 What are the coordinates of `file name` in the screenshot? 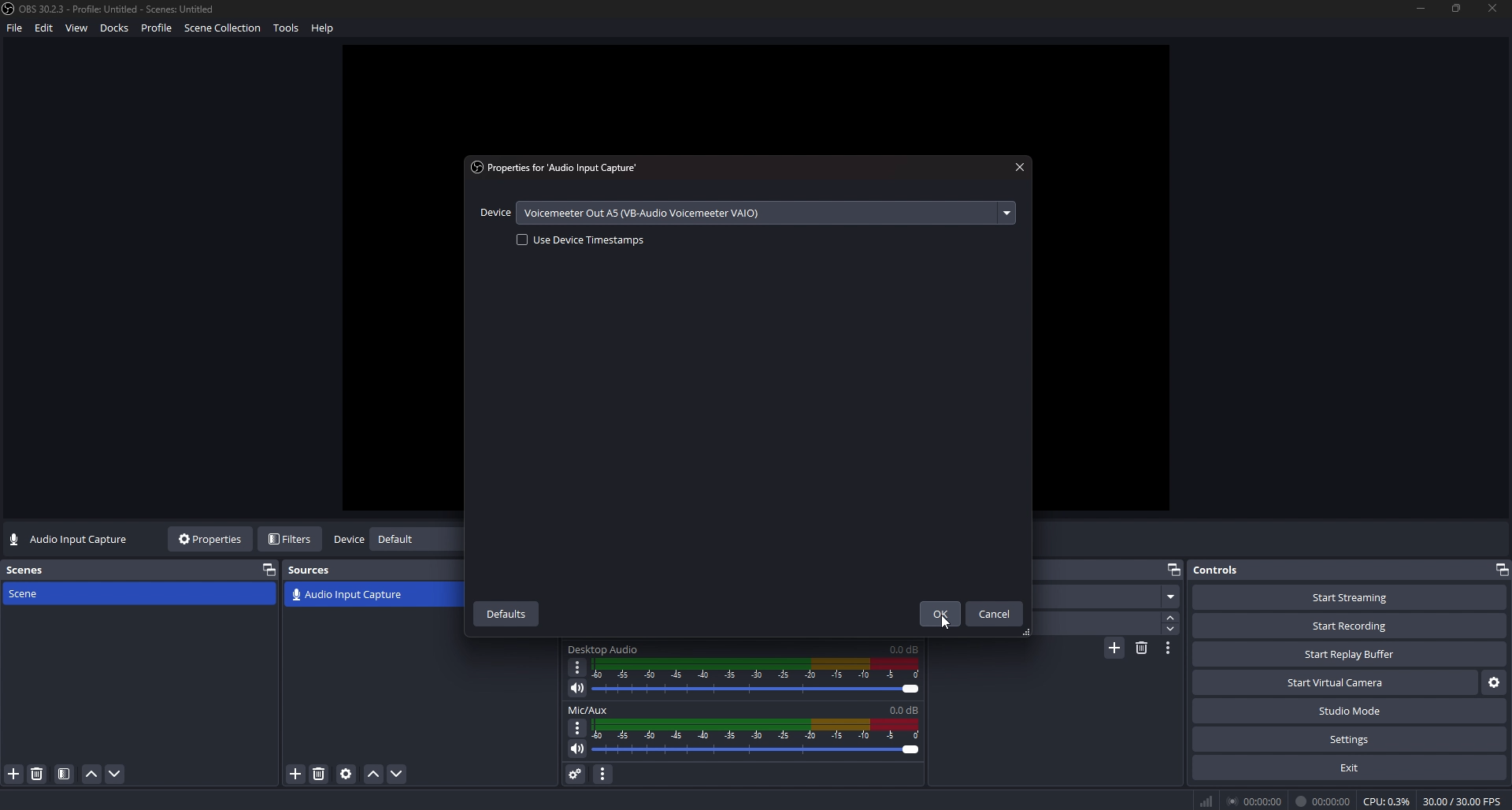 It's located at (111, 9).